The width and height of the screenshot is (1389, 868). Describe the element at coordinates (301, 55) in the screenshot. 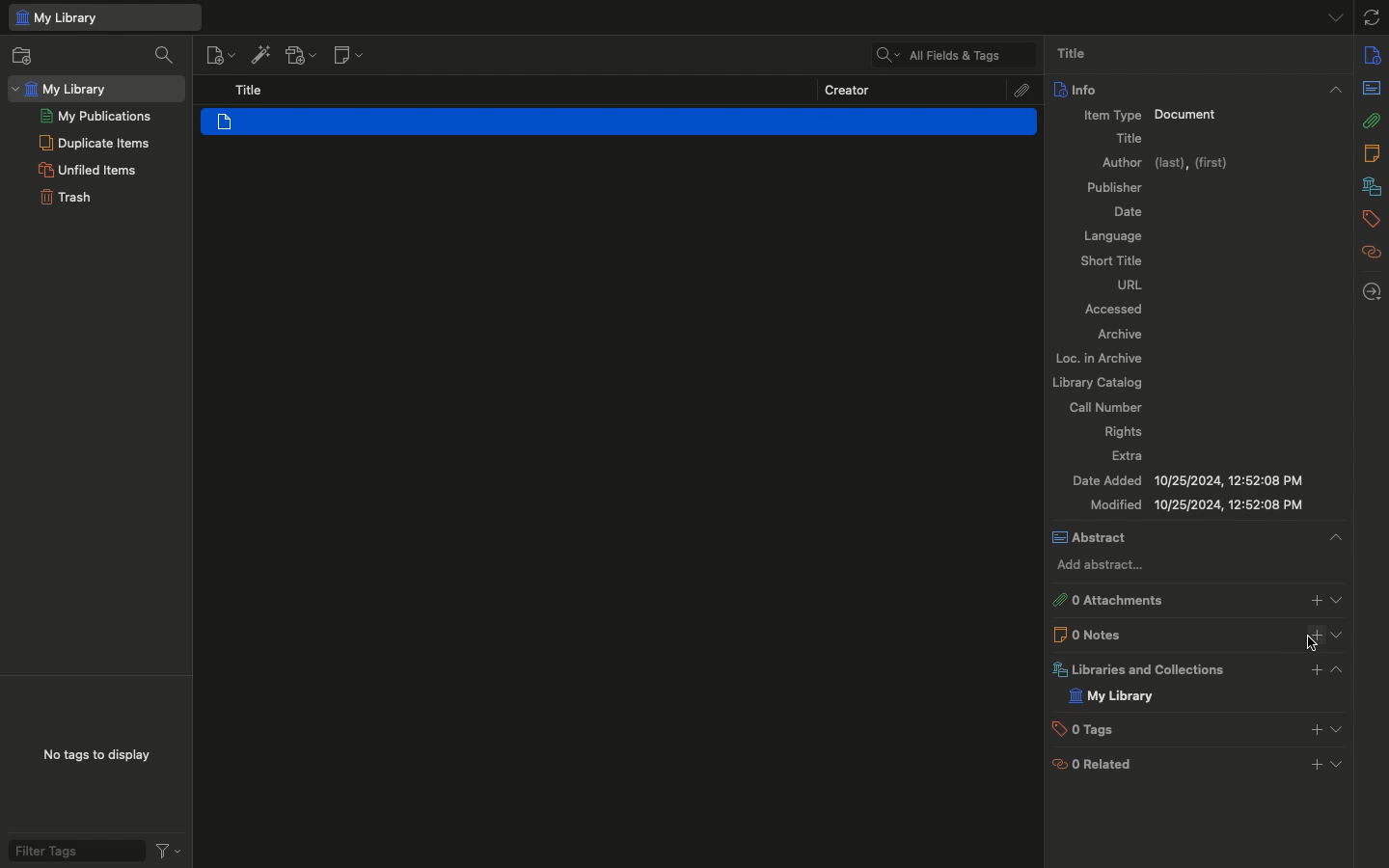

I see `Add attachment` at that location.